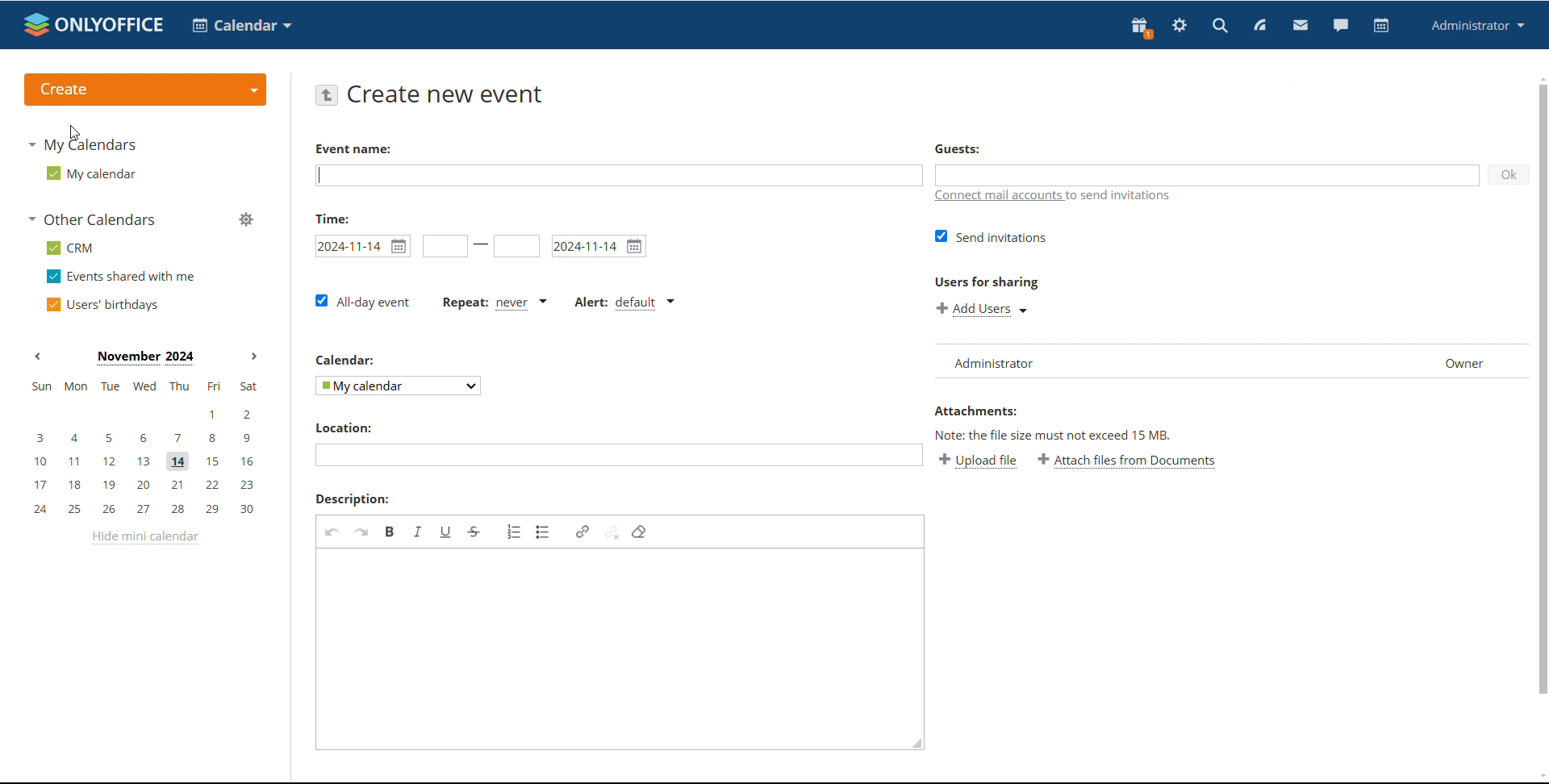 Image resolution: width=1549 pixels, height=784 pixels. Describe the element at coordinates (418, 531) in the screenshot. I see `italic` at that location.